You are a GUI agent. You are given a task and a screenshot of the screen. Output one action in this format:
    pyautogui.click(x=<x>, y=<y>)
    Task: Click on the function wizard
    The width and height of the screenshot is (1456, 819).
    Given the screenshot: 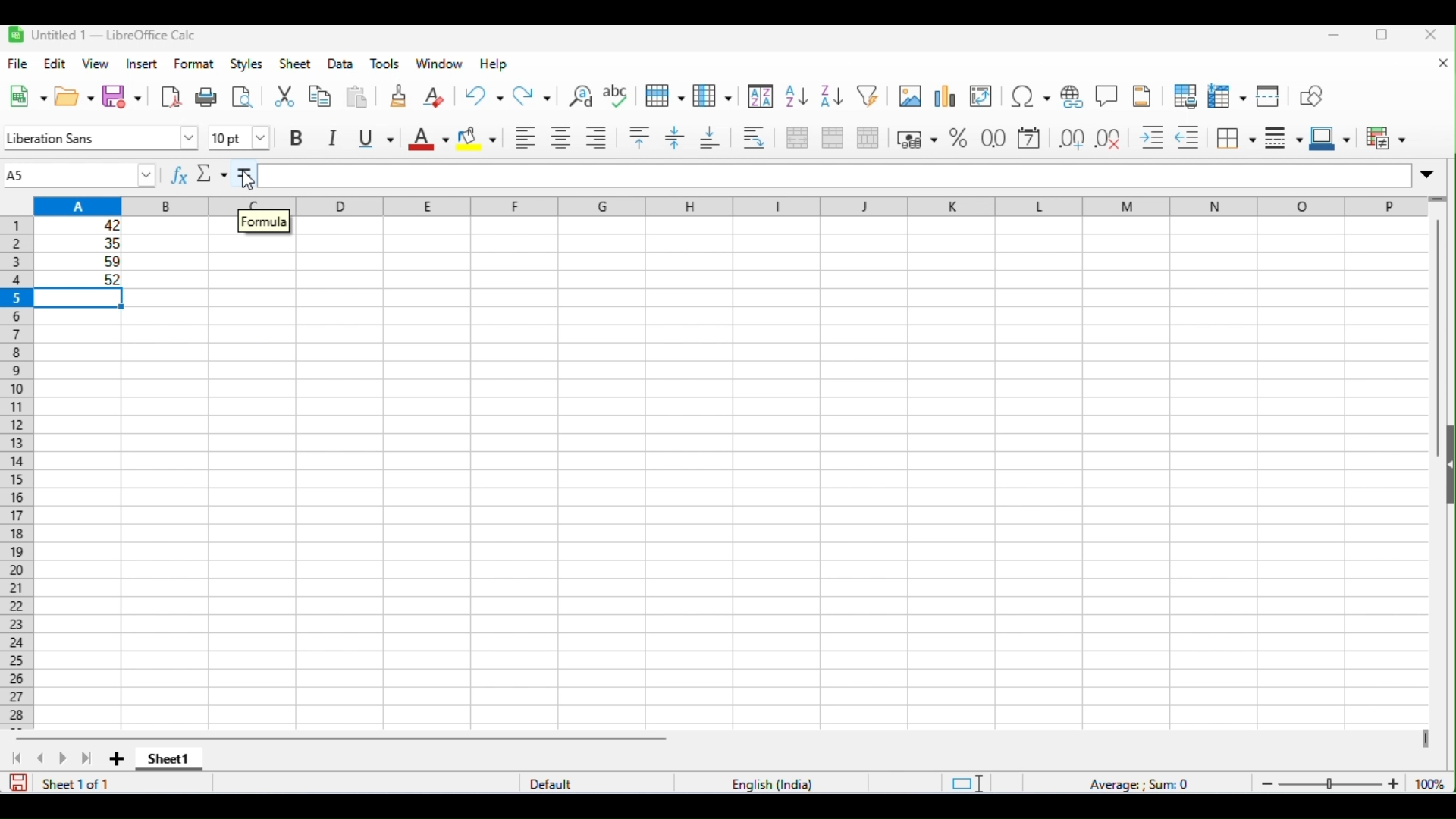 What is the action you would take?
    pyautogui.click(x=181, y=177)
    